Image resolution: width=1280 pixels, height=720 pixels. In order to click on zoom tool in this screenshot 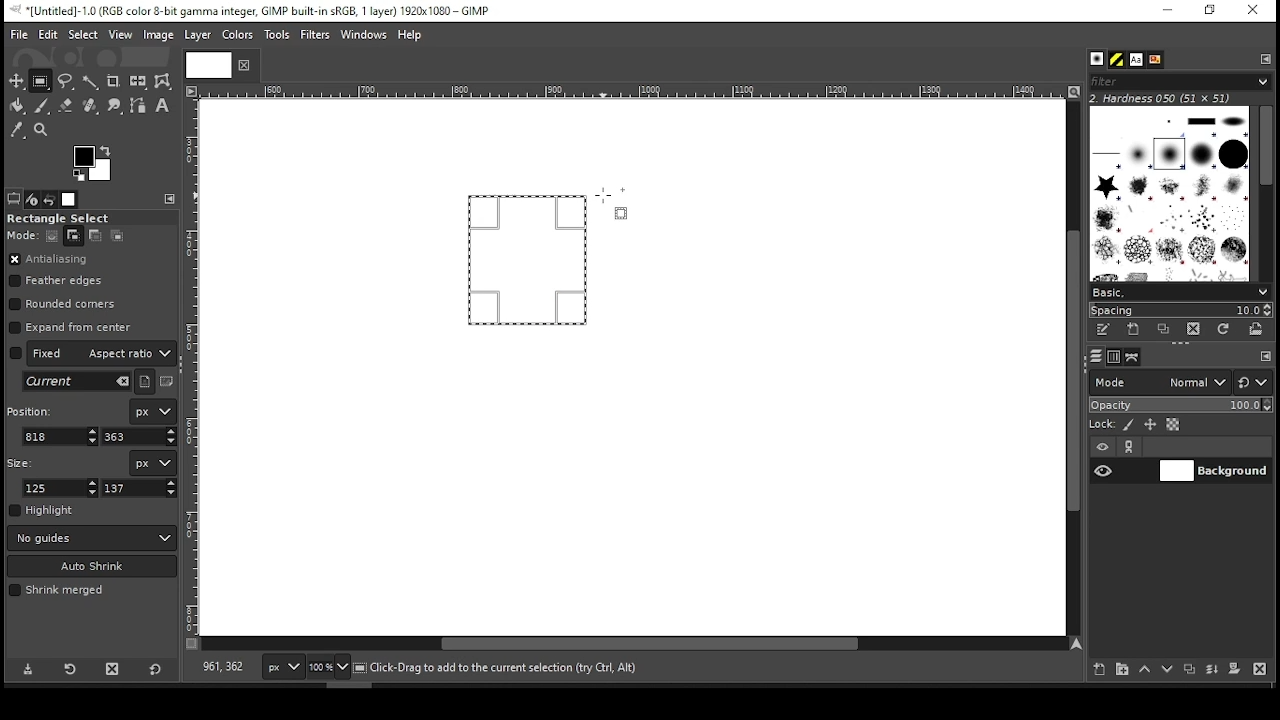, I will do `click(42, 131)`.